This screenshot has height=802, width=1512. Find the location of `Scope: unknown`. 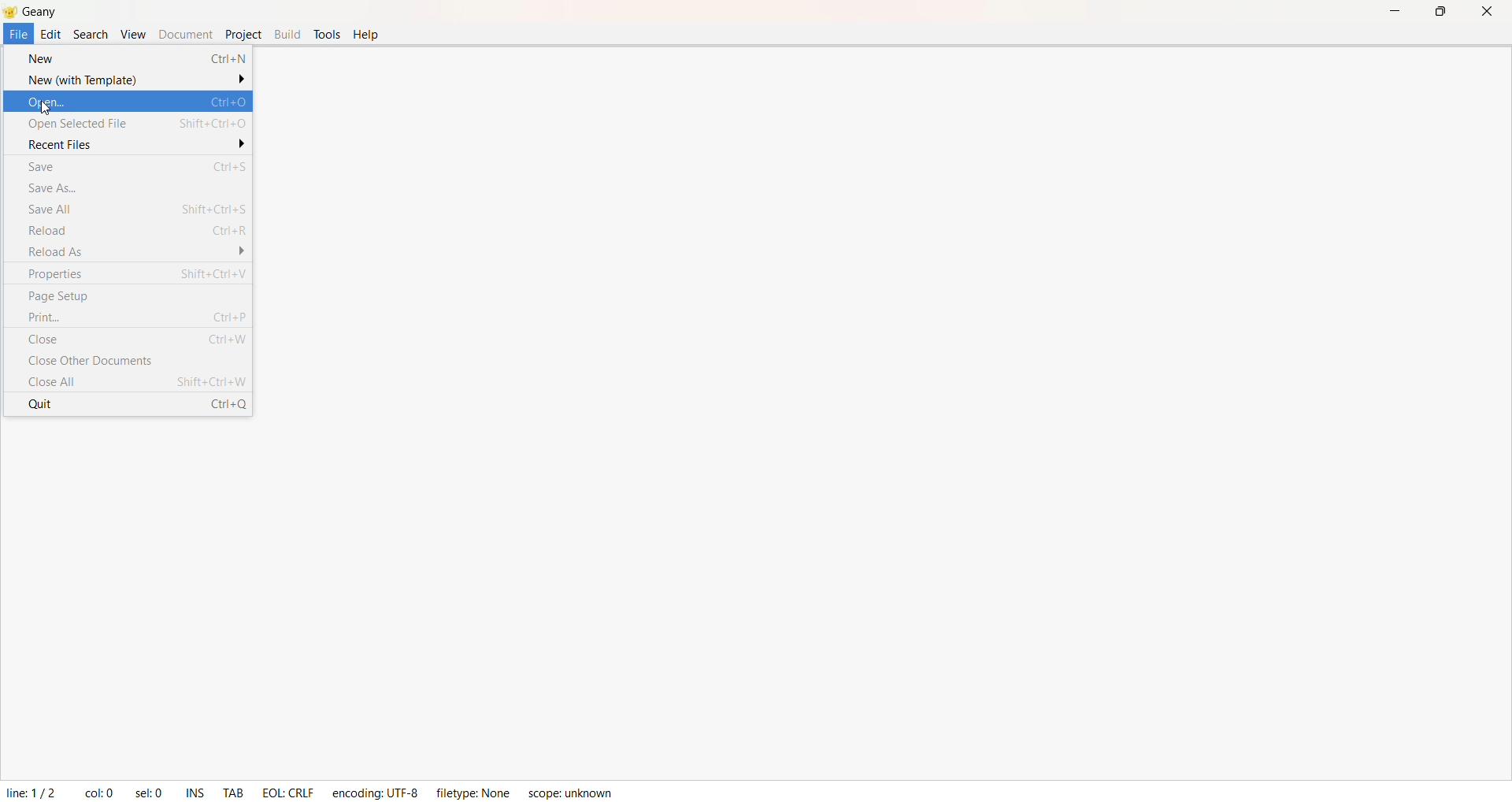

Scope: unknown is located at coordinates (569, 794).